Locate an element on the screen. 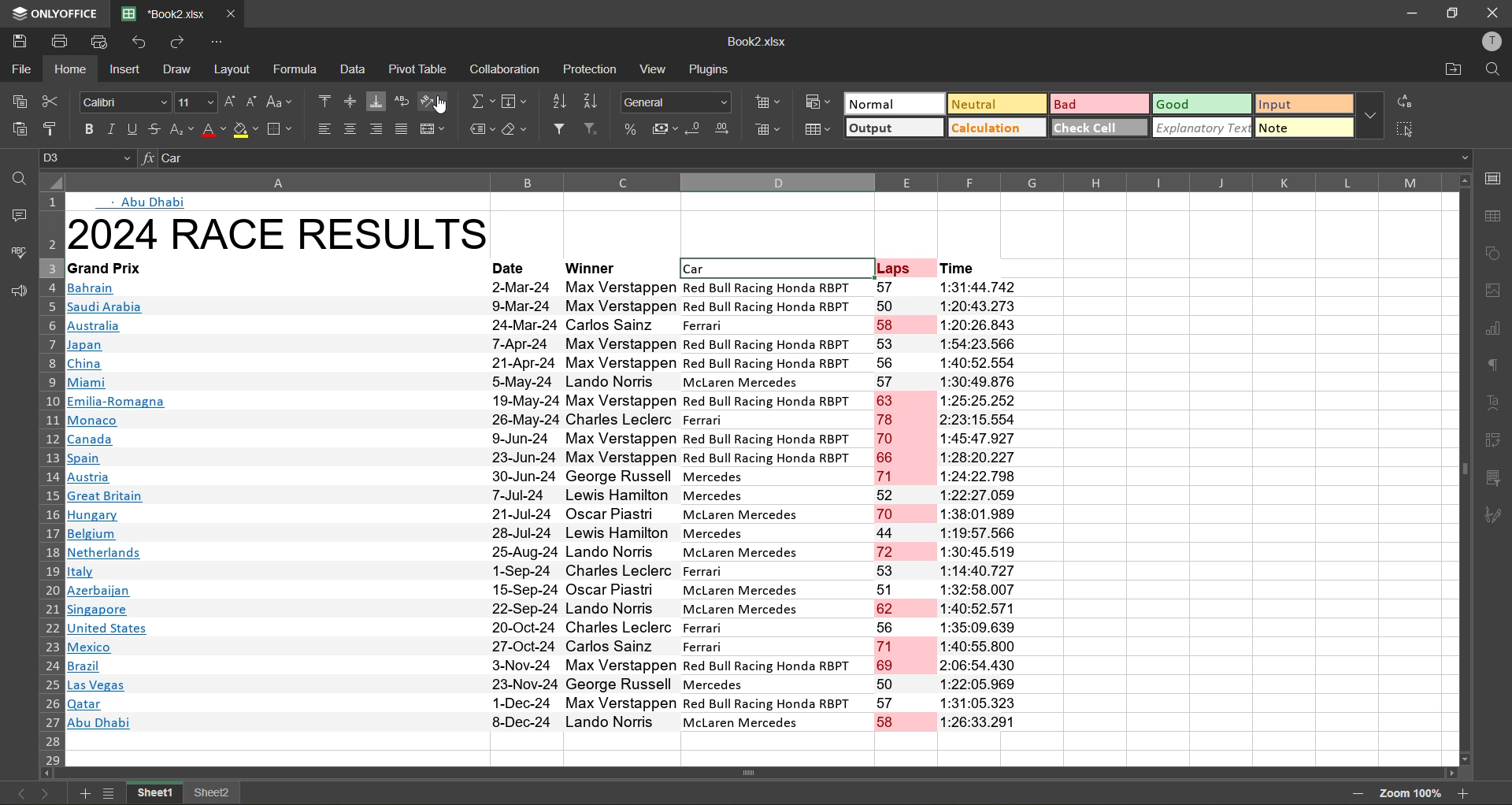 The width and height of the screenshot is (1512, 805). align right is located at coordinates (375, 127).